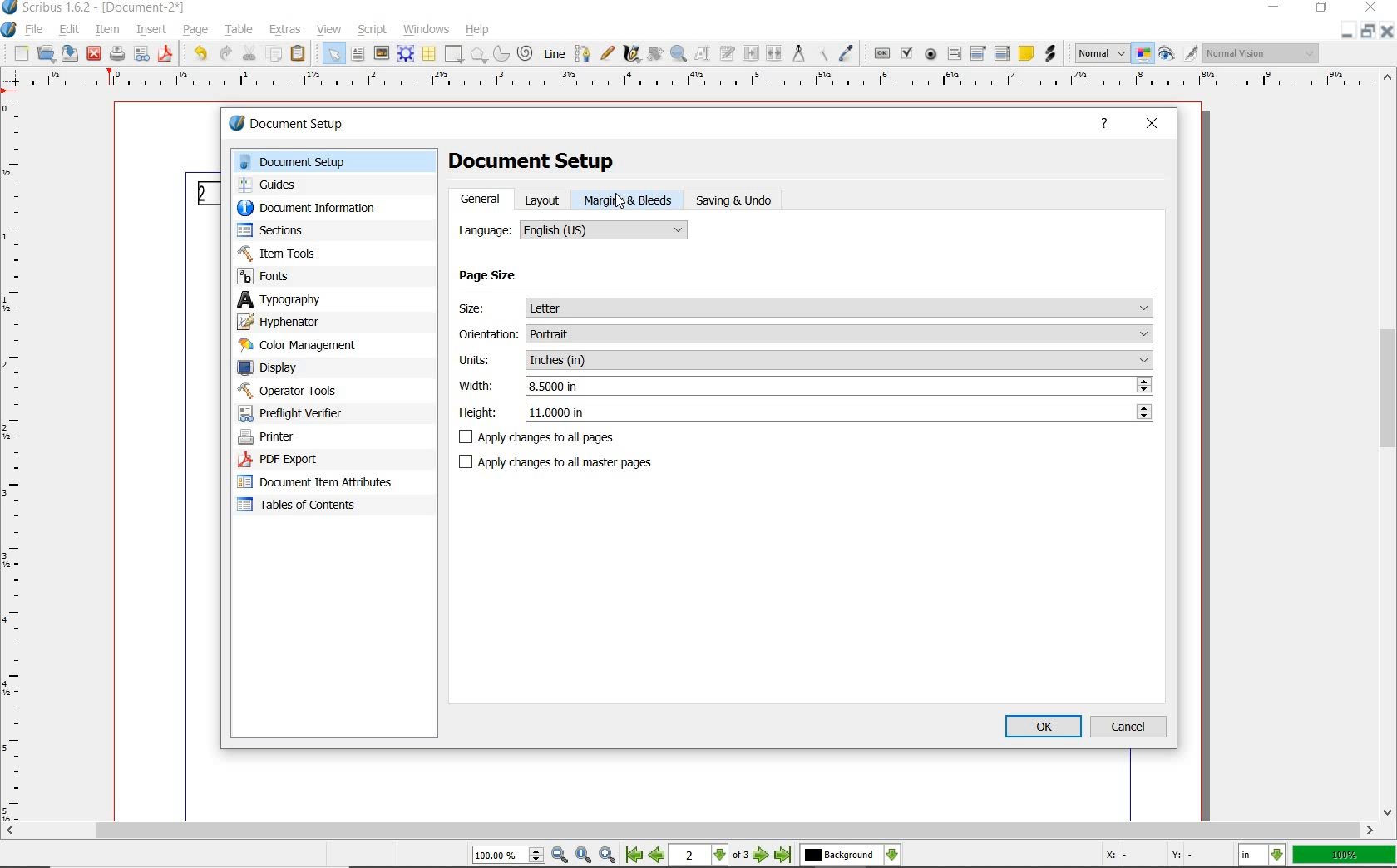 This screenshot has height=868, width=1397. Describe the element at coordinates (311, 125) in the screenshot. I see `document setup` at that location.